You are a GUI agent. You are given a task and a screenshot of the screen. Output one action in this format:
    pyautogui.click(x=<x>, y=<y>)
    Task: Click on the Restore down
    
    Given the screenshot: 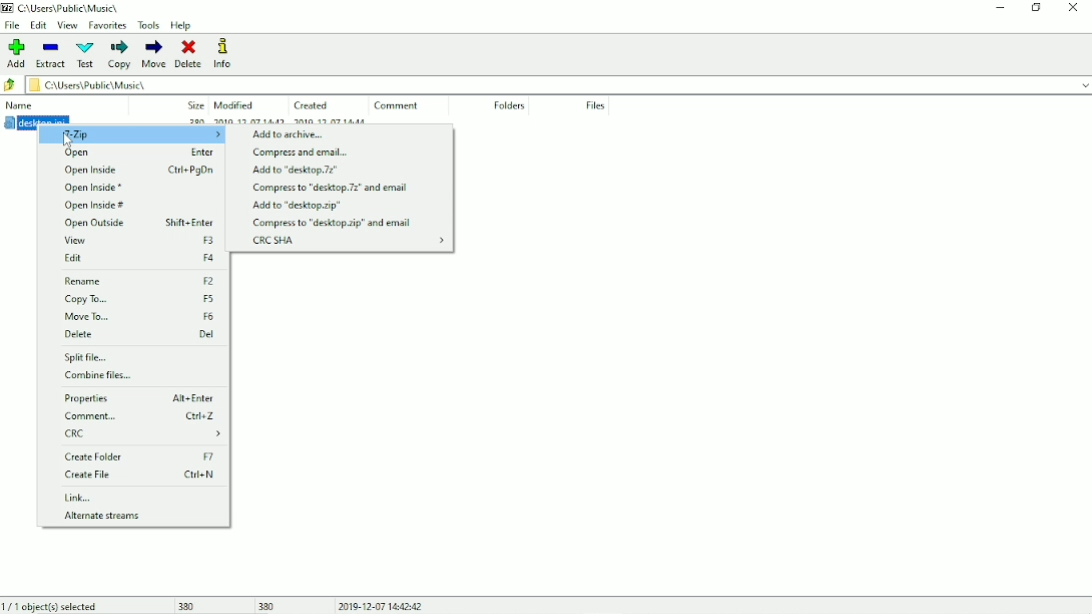 What is the action you would take?
    pyautogui.click(x=1035, y=8)
    